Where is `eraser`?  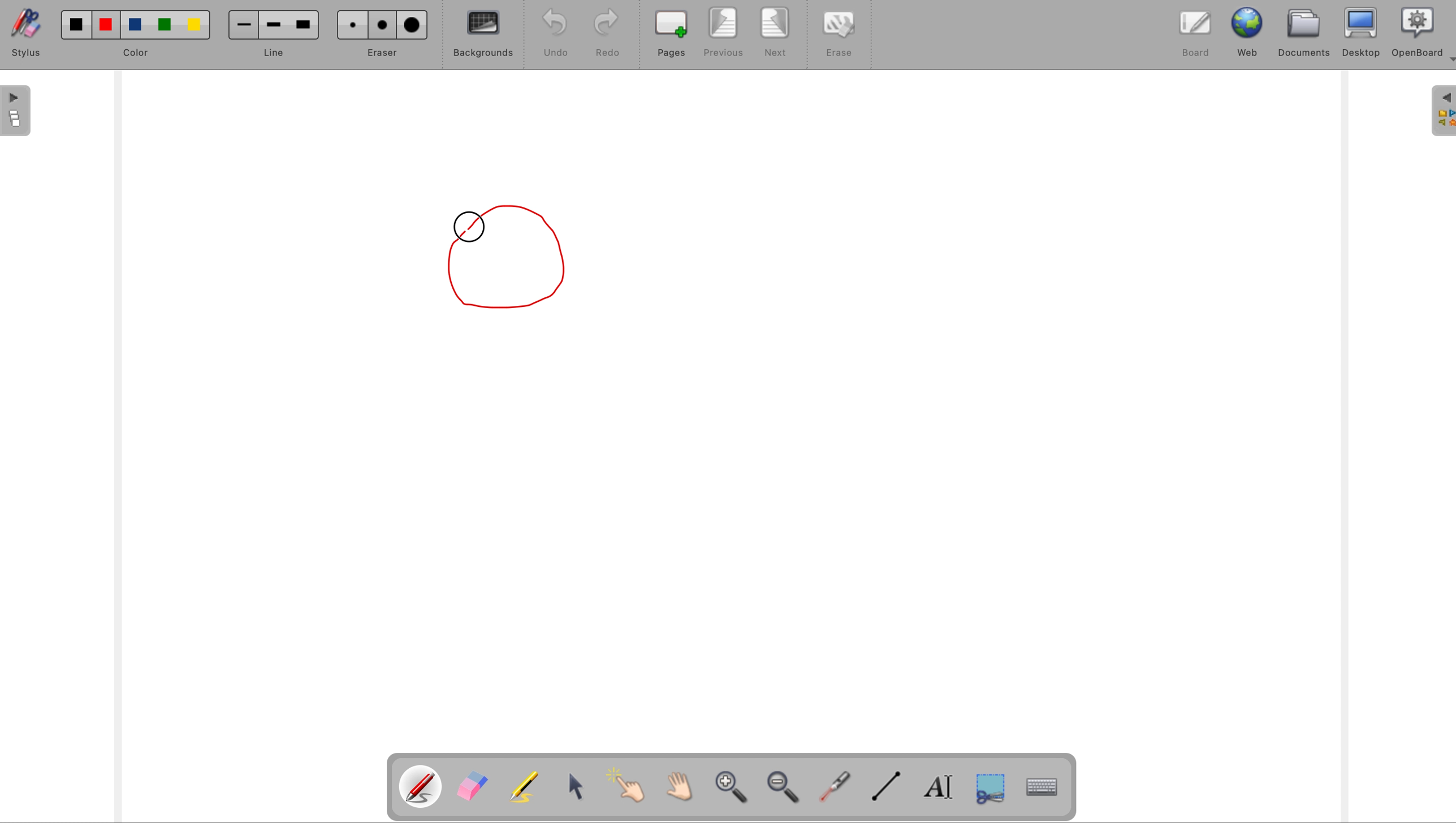
eraser is located at coordinates (384, 34).